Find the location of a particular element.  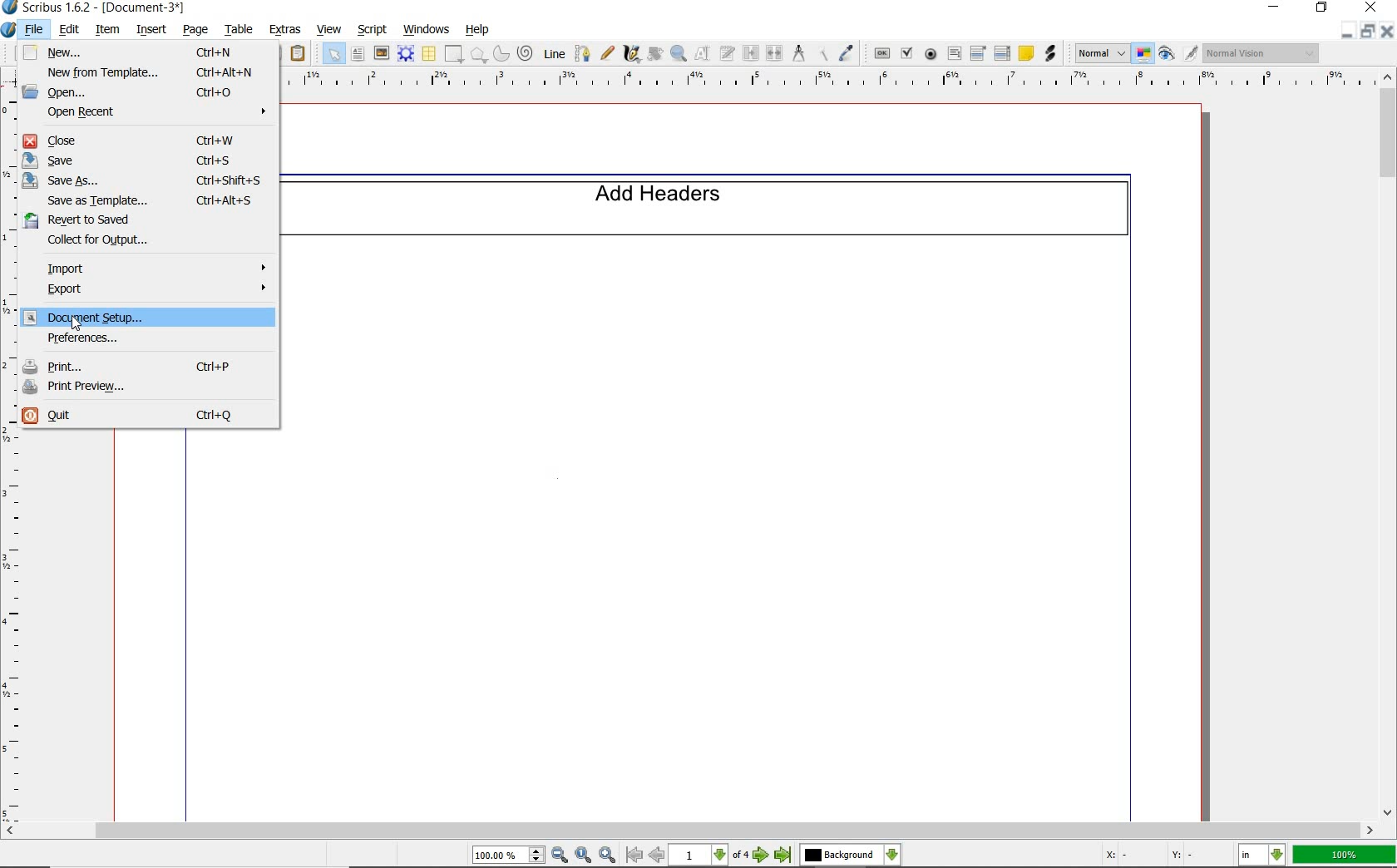

edit contents of frame is located at coordinates (703, 53).